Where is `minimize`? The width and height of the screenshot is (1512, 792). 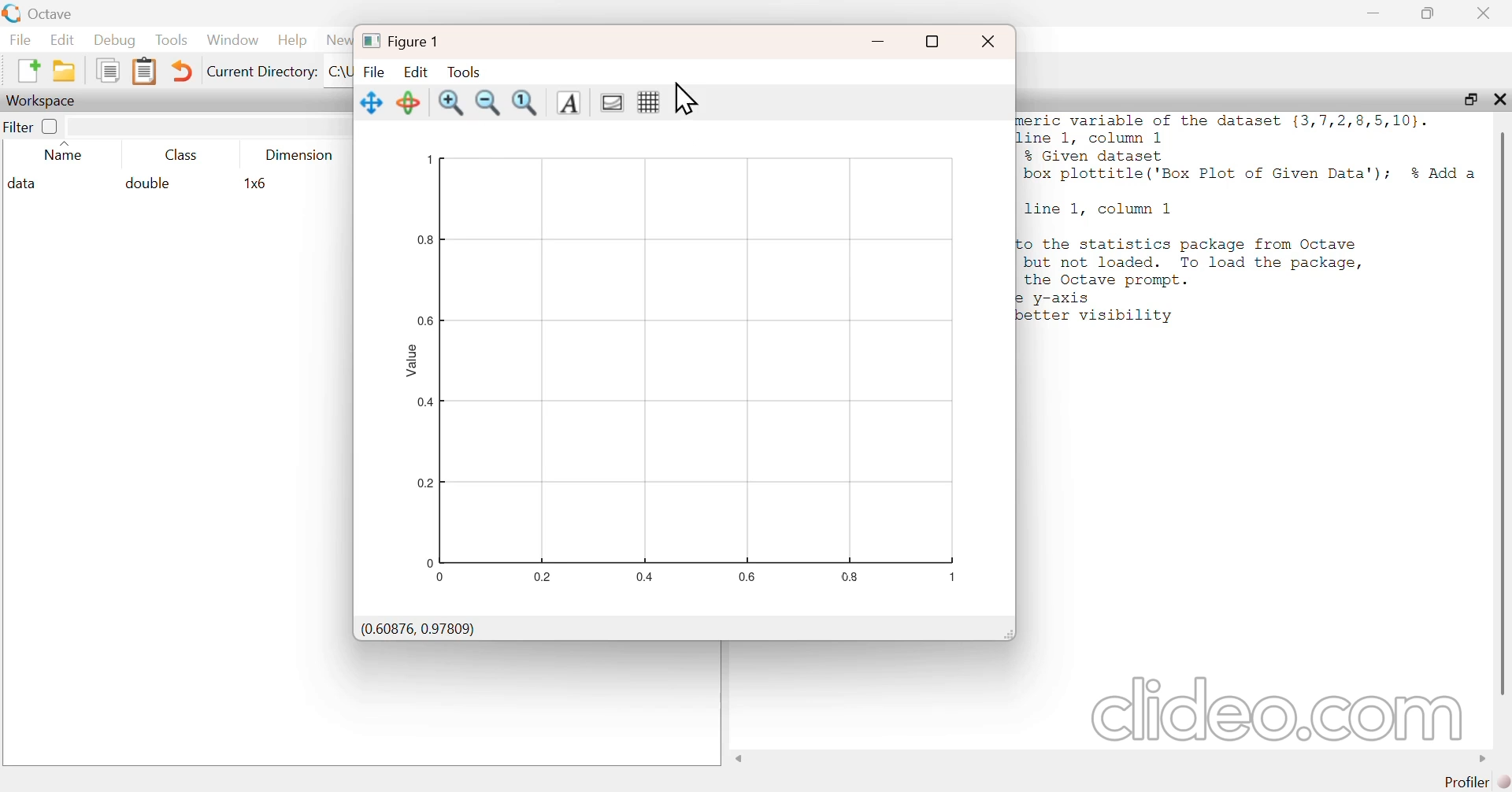
minimize is located at coordinates (1373, 13).